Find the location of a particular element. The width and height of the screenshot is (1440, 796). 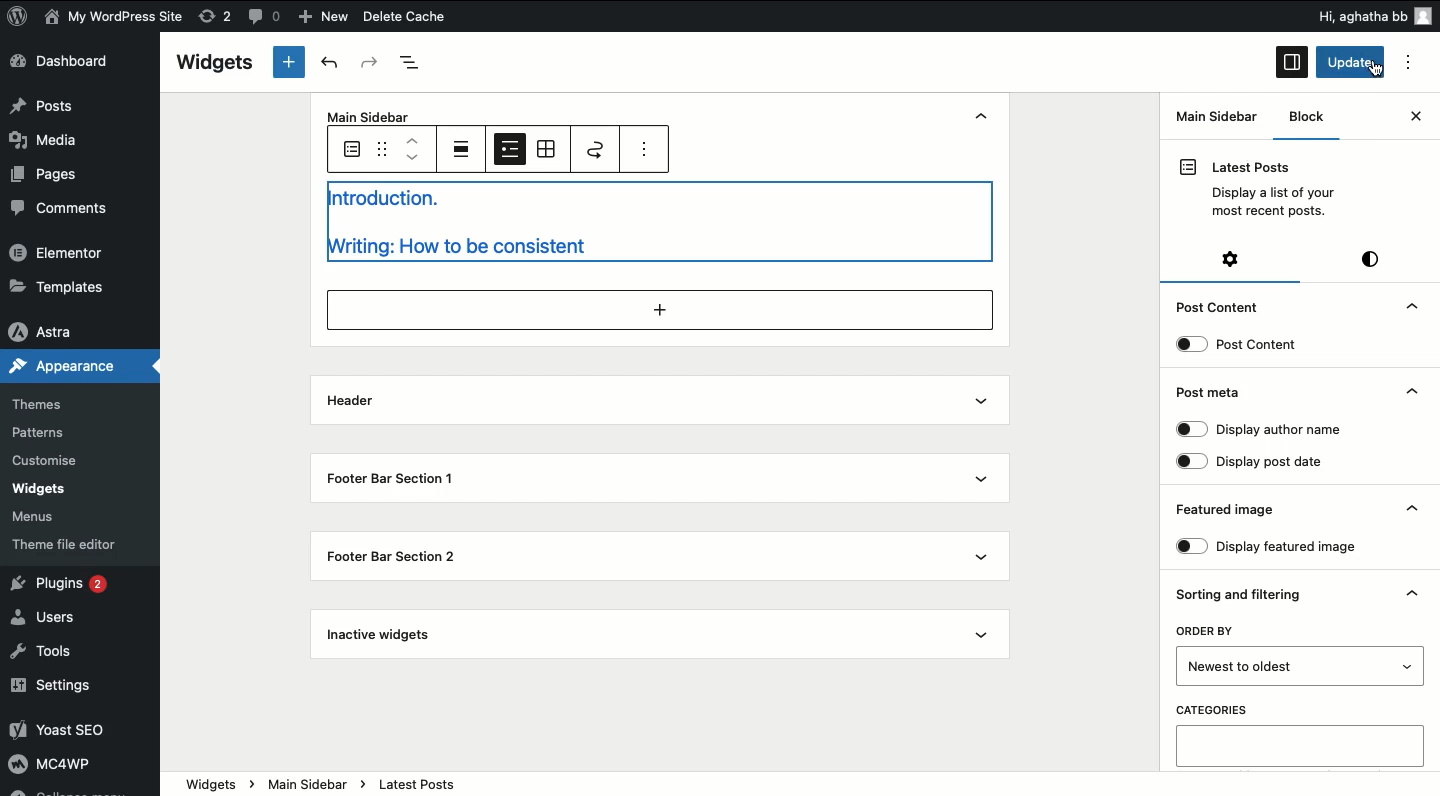

hide dropdown is located at coordinates (980, 117).